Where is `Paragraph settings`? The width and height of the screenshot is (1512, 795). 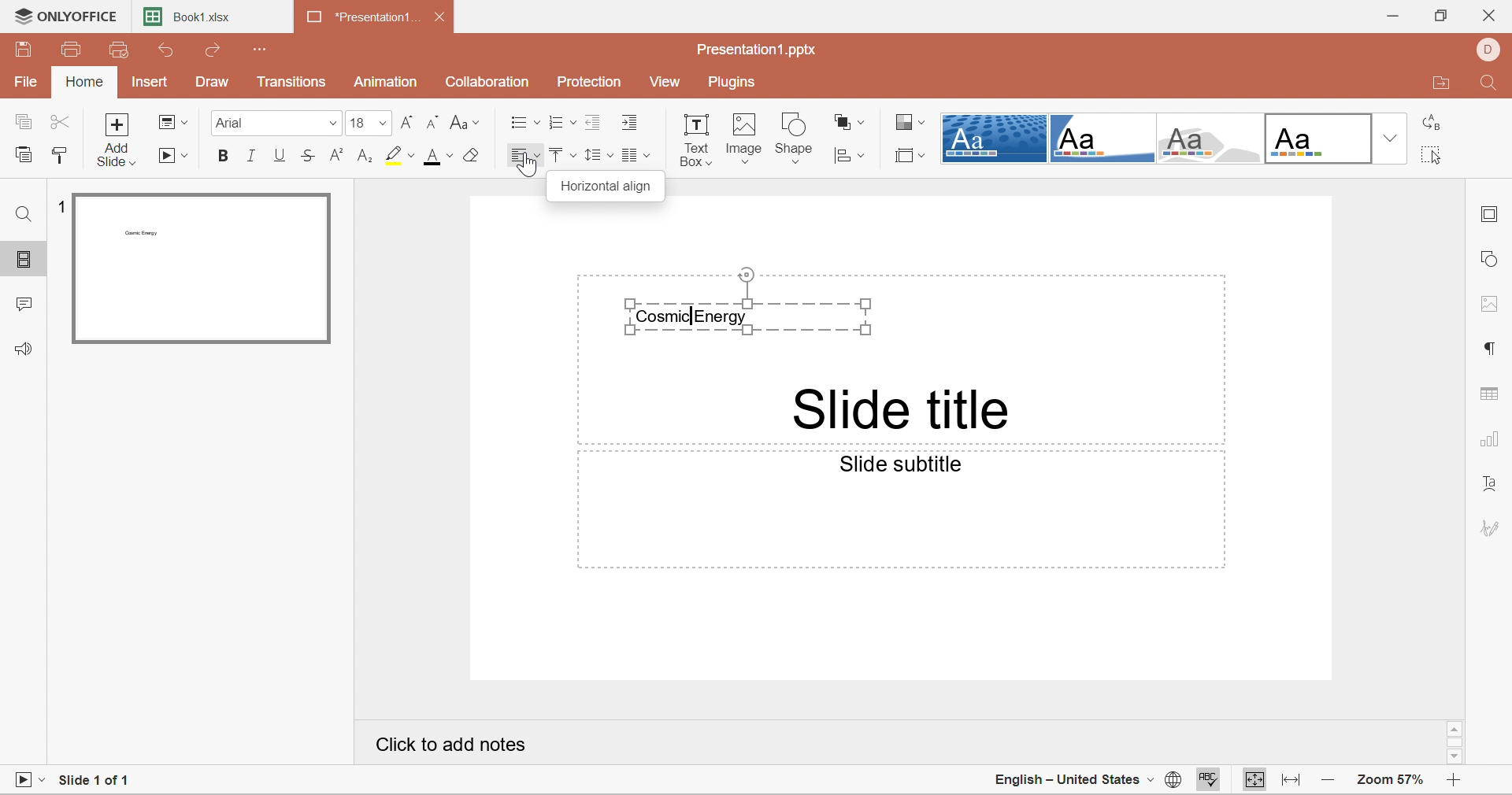 Paragraph settings is located at coordinates (1492, 348).